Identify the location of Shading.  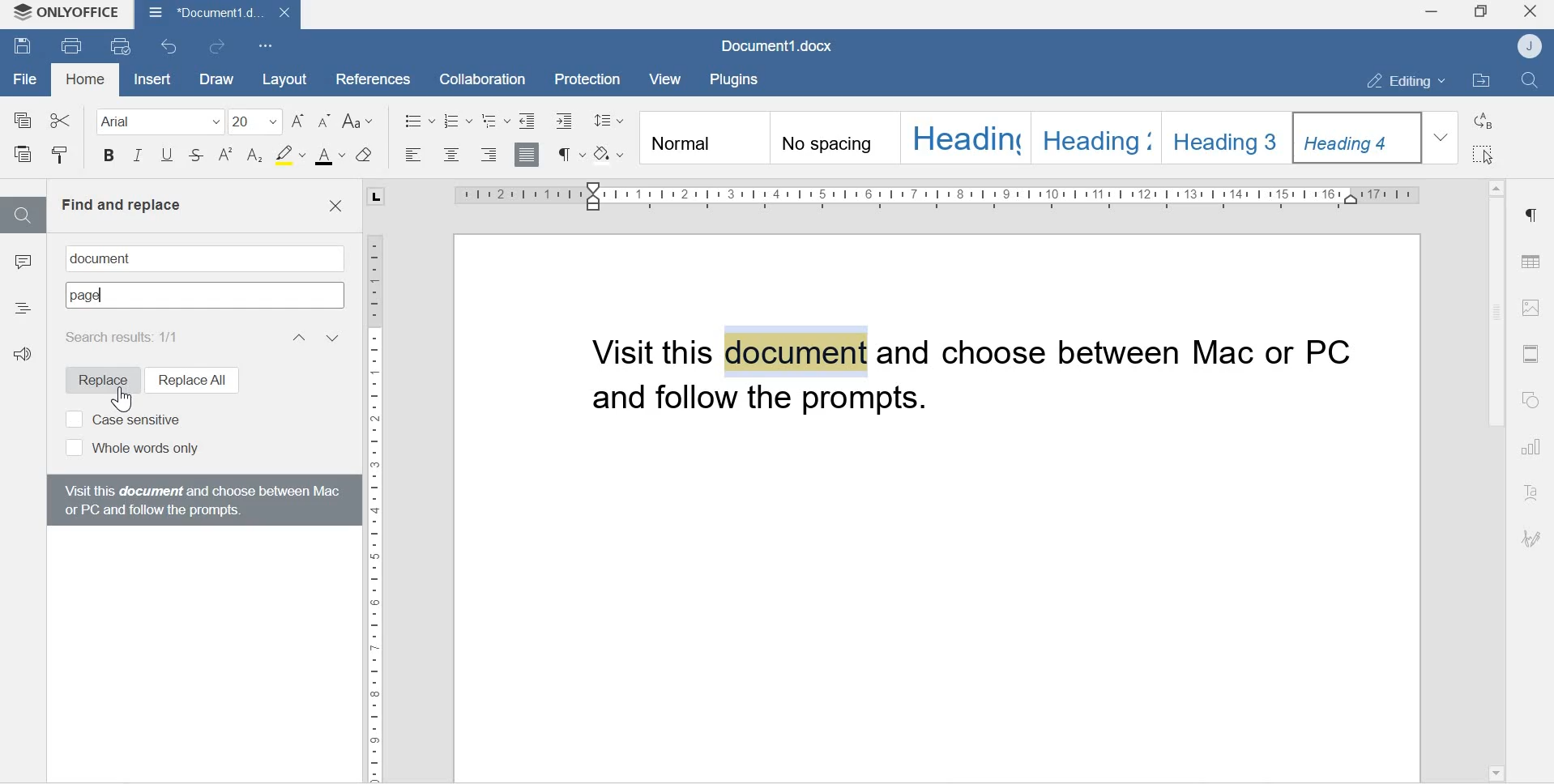
(612, 152).